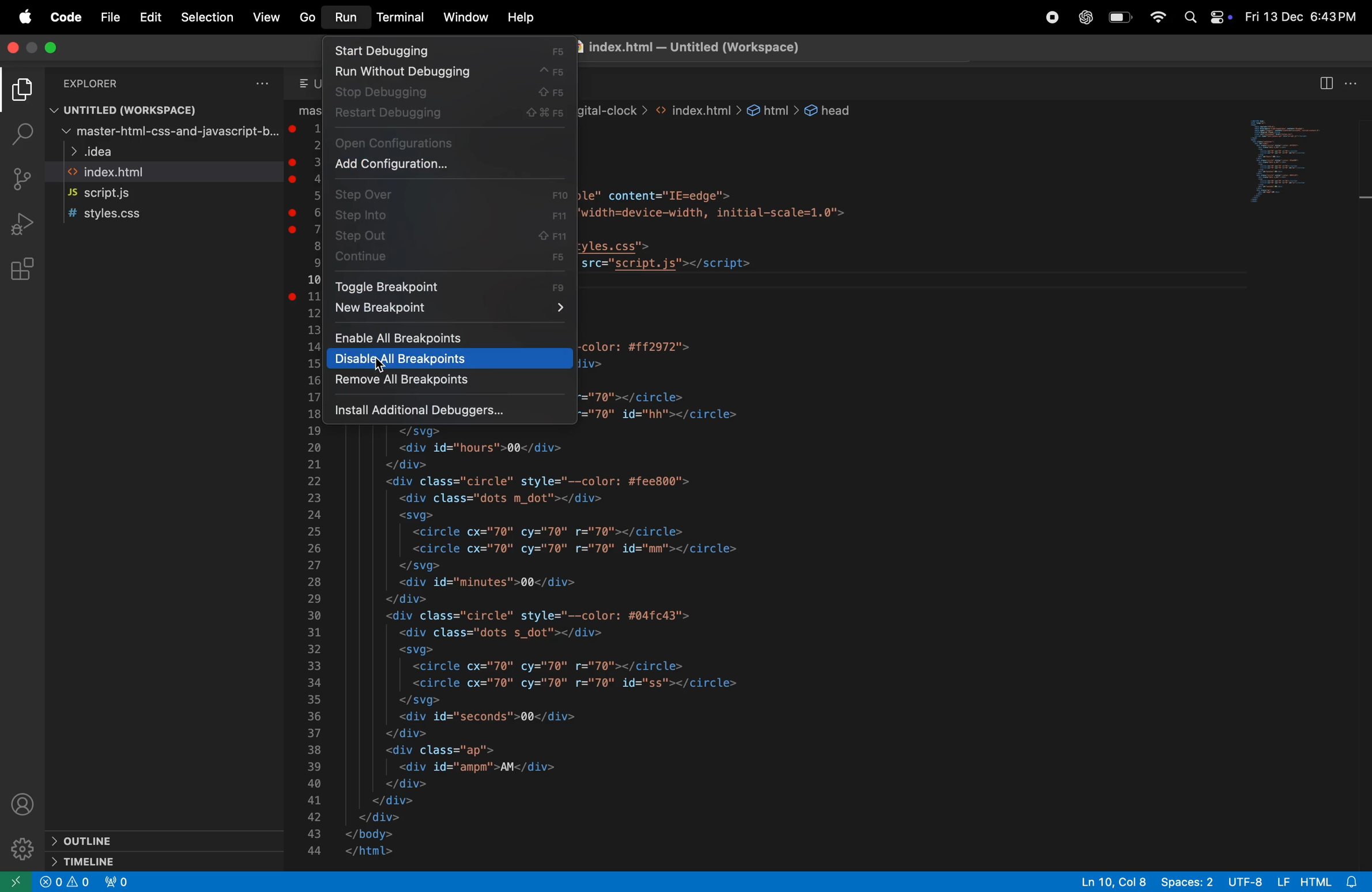  I want to click on battery, so click(1123, 18).